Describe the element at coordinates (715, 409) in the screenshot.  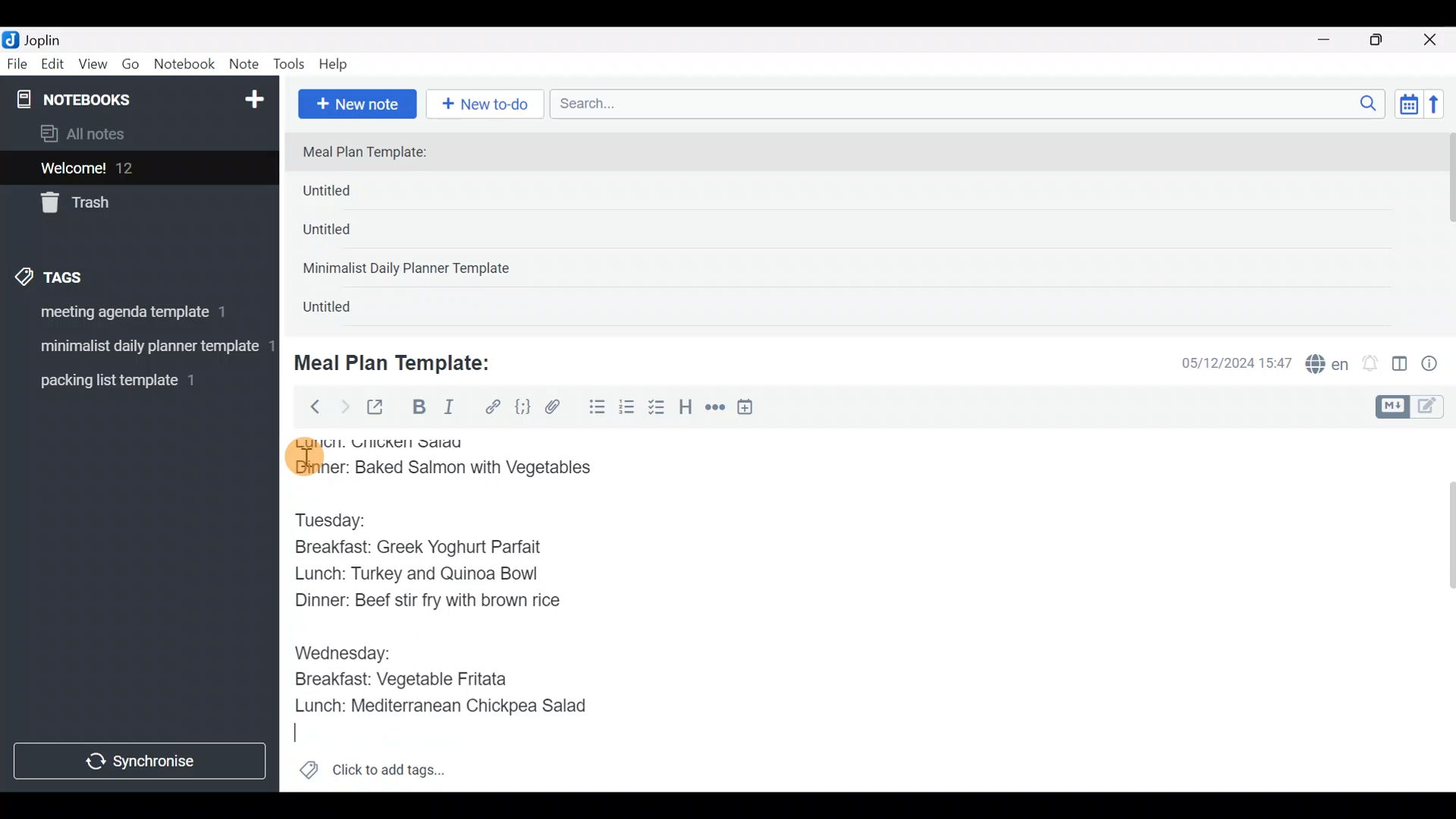
I see `Horizontal rule` at that location.